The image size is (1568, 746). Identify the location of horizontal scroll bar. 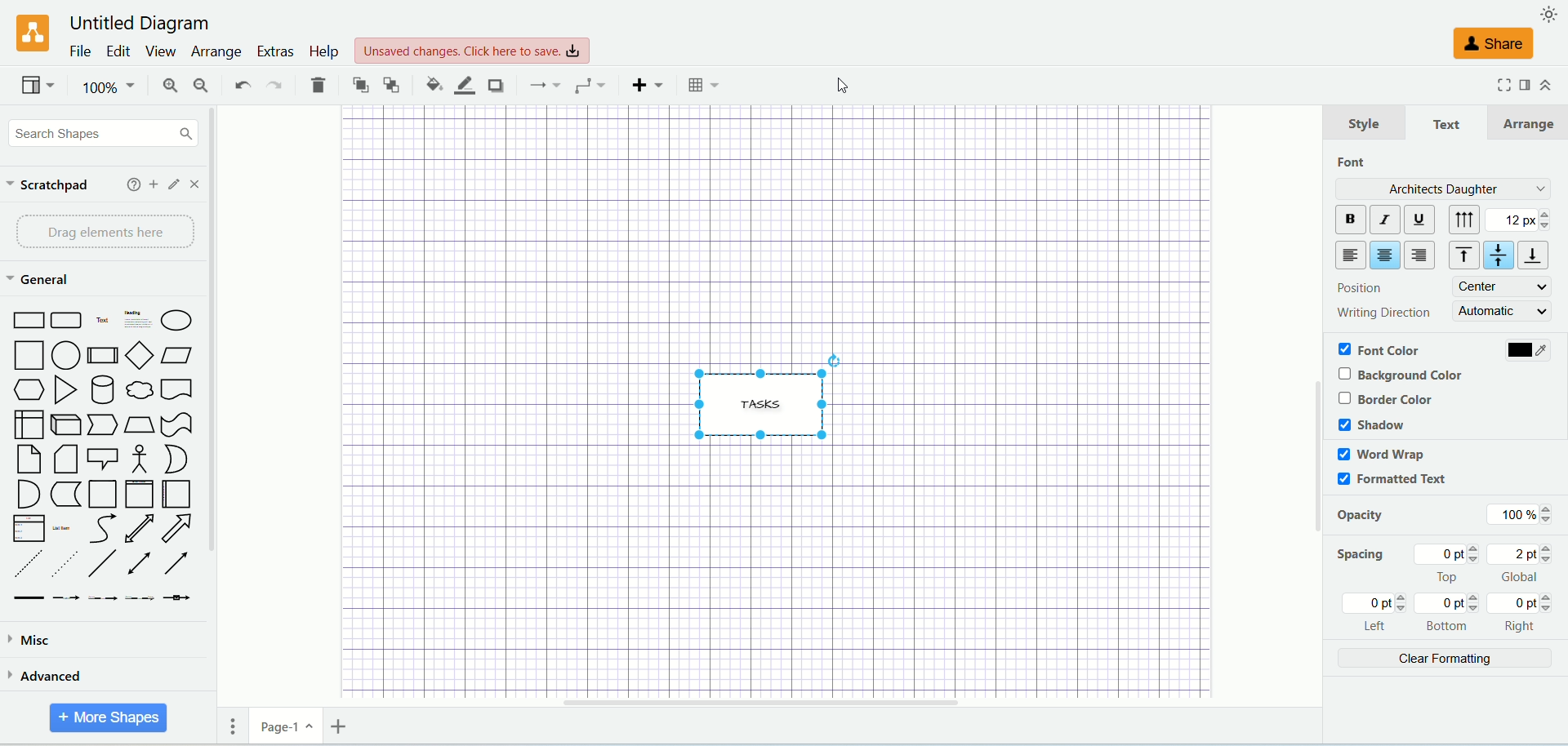
(811, 703).